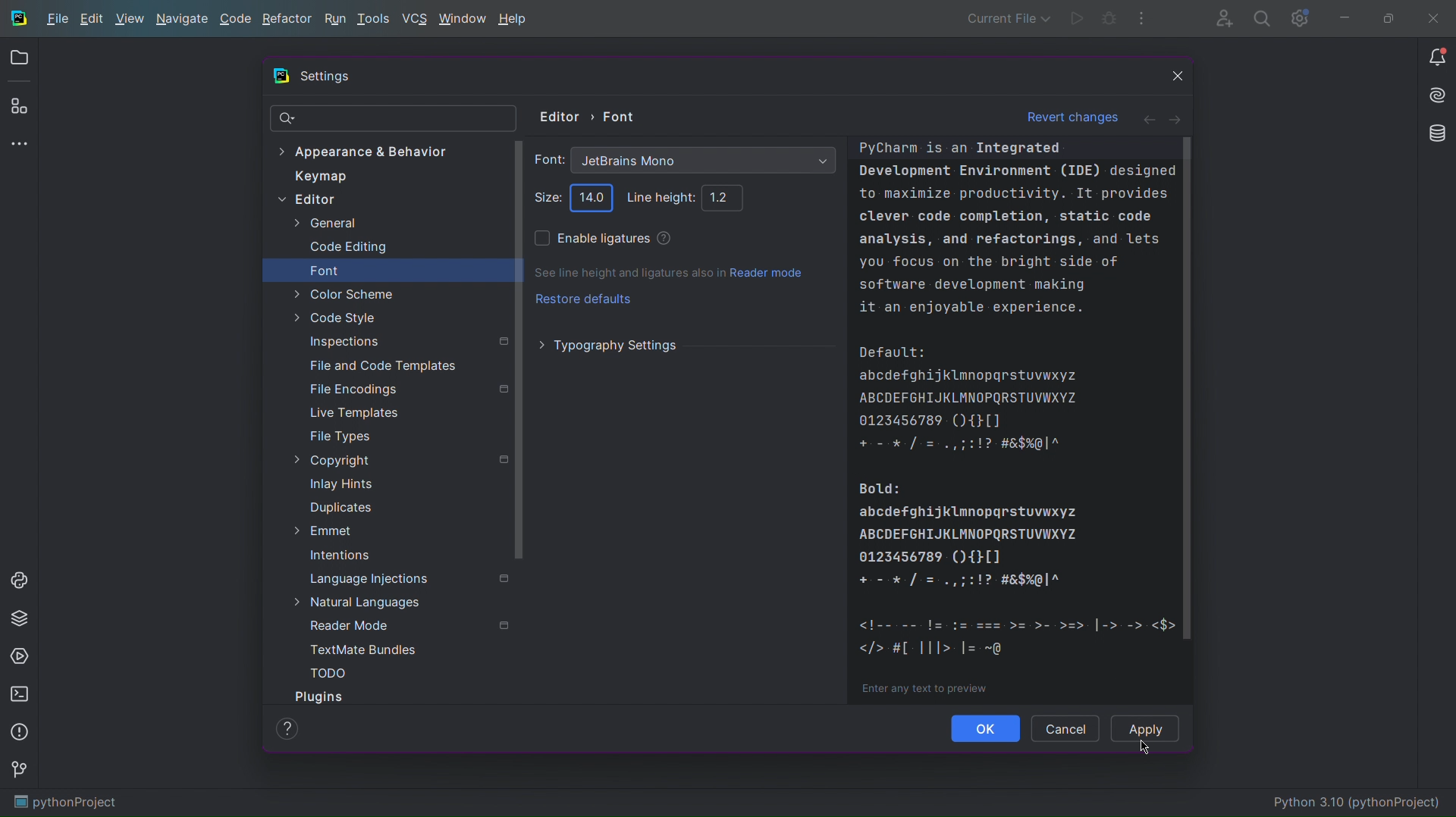 The image size is (1456, 817). I want to click on Live Templates, so click(353, 412).